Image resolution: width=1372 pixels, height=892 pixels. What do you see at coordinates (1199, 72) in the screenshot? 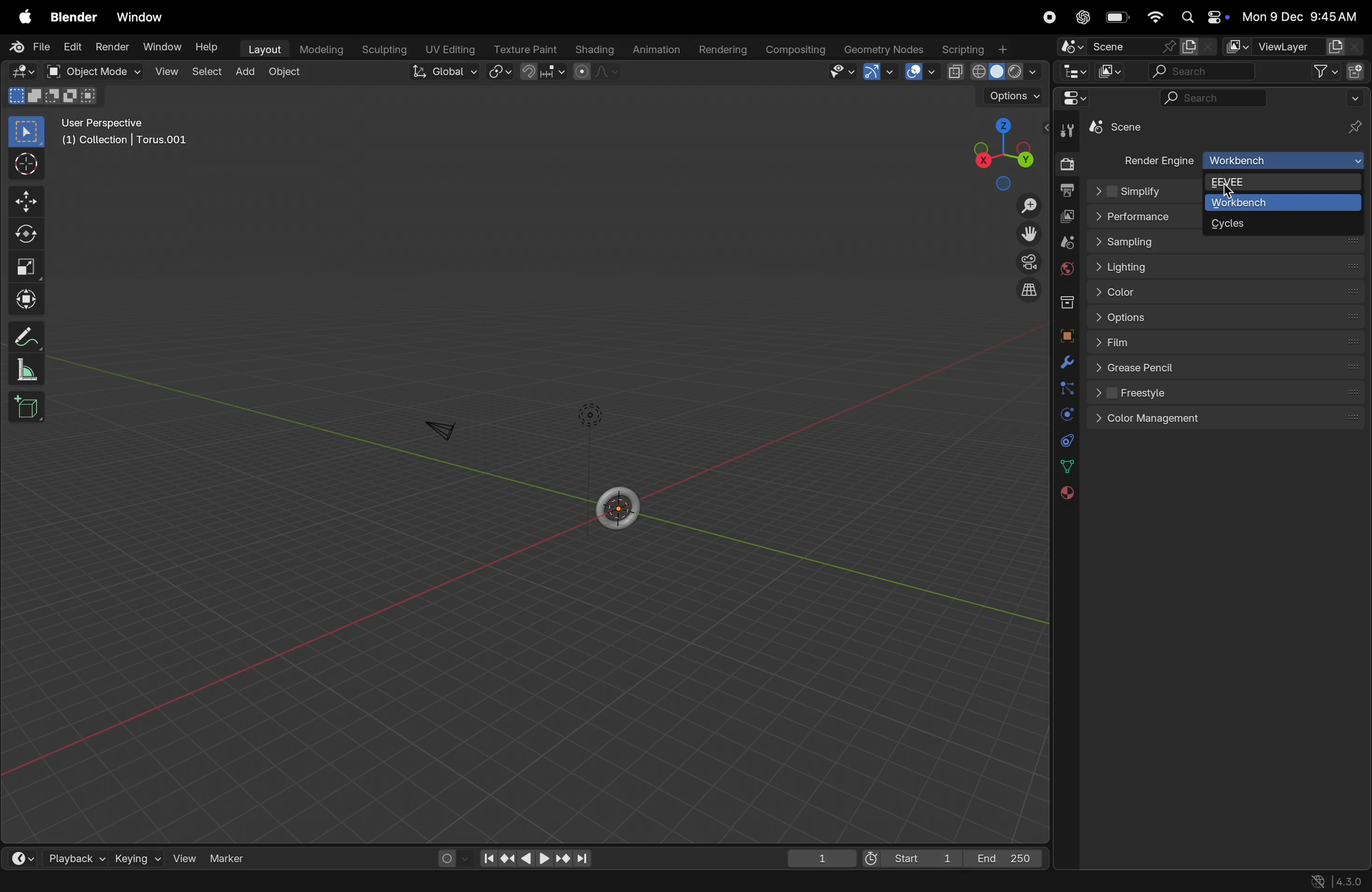
I see `search` at bounding box center [1199, 72].